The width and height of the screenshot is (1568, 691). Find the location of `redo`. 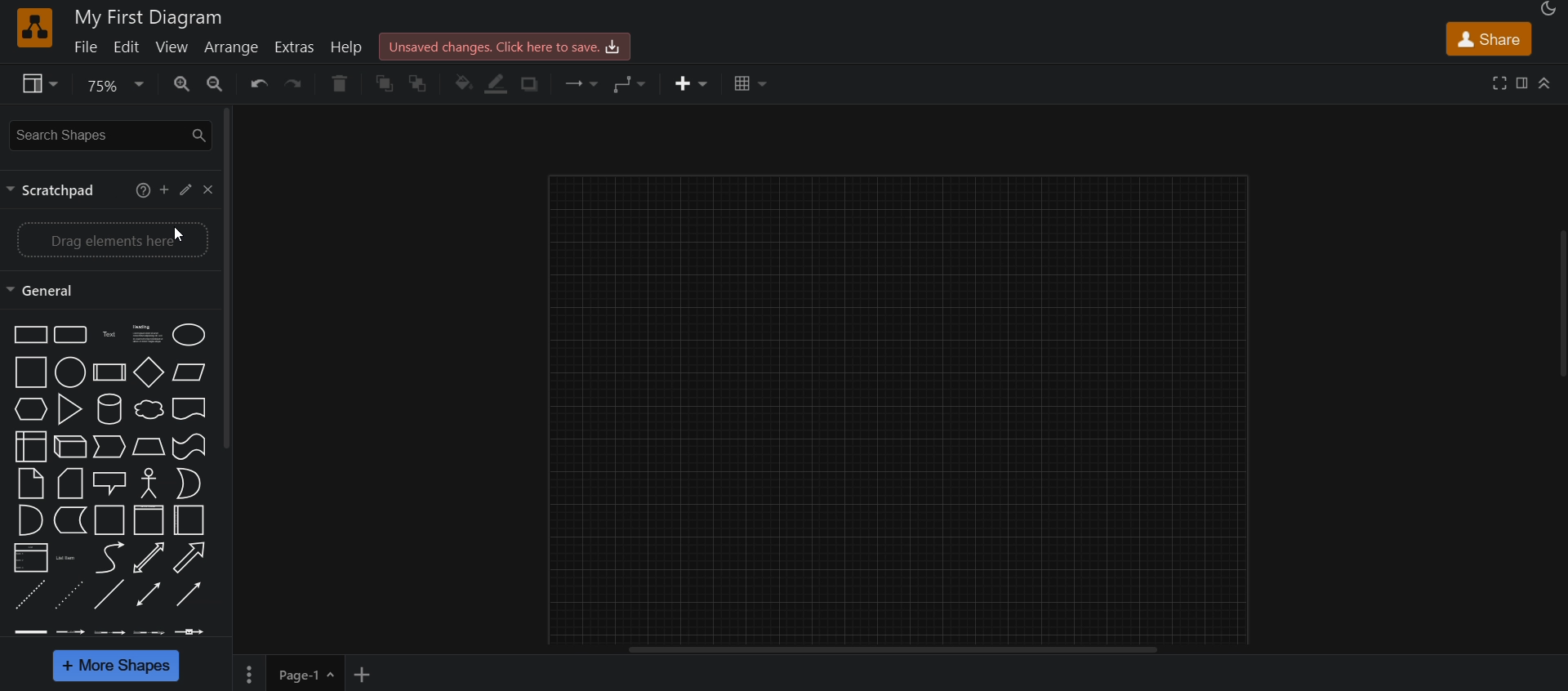

redo is located at coordinates (298, 86).